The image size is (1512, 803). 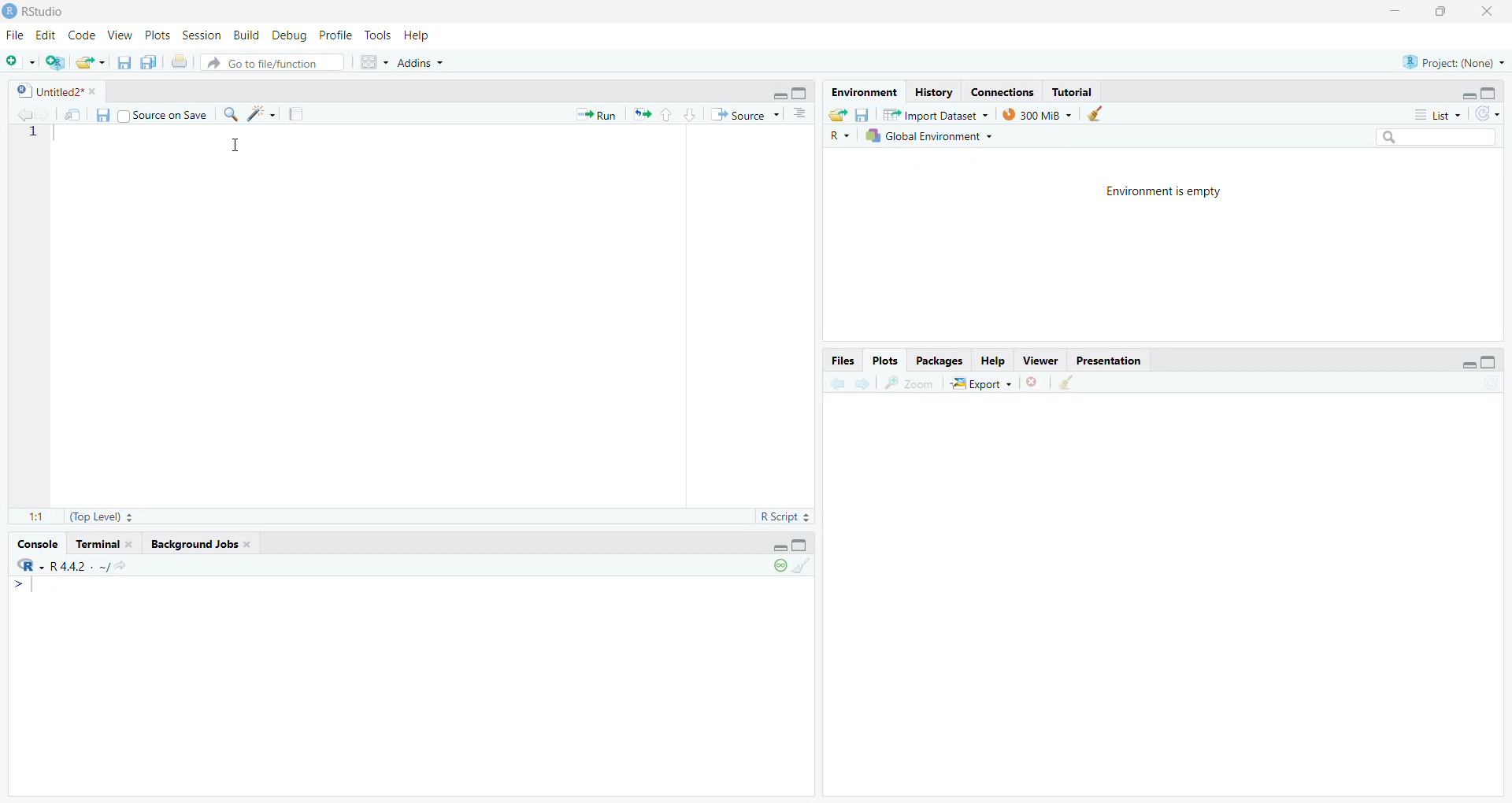 I want to click on Debug, so click(x=290, y=37).